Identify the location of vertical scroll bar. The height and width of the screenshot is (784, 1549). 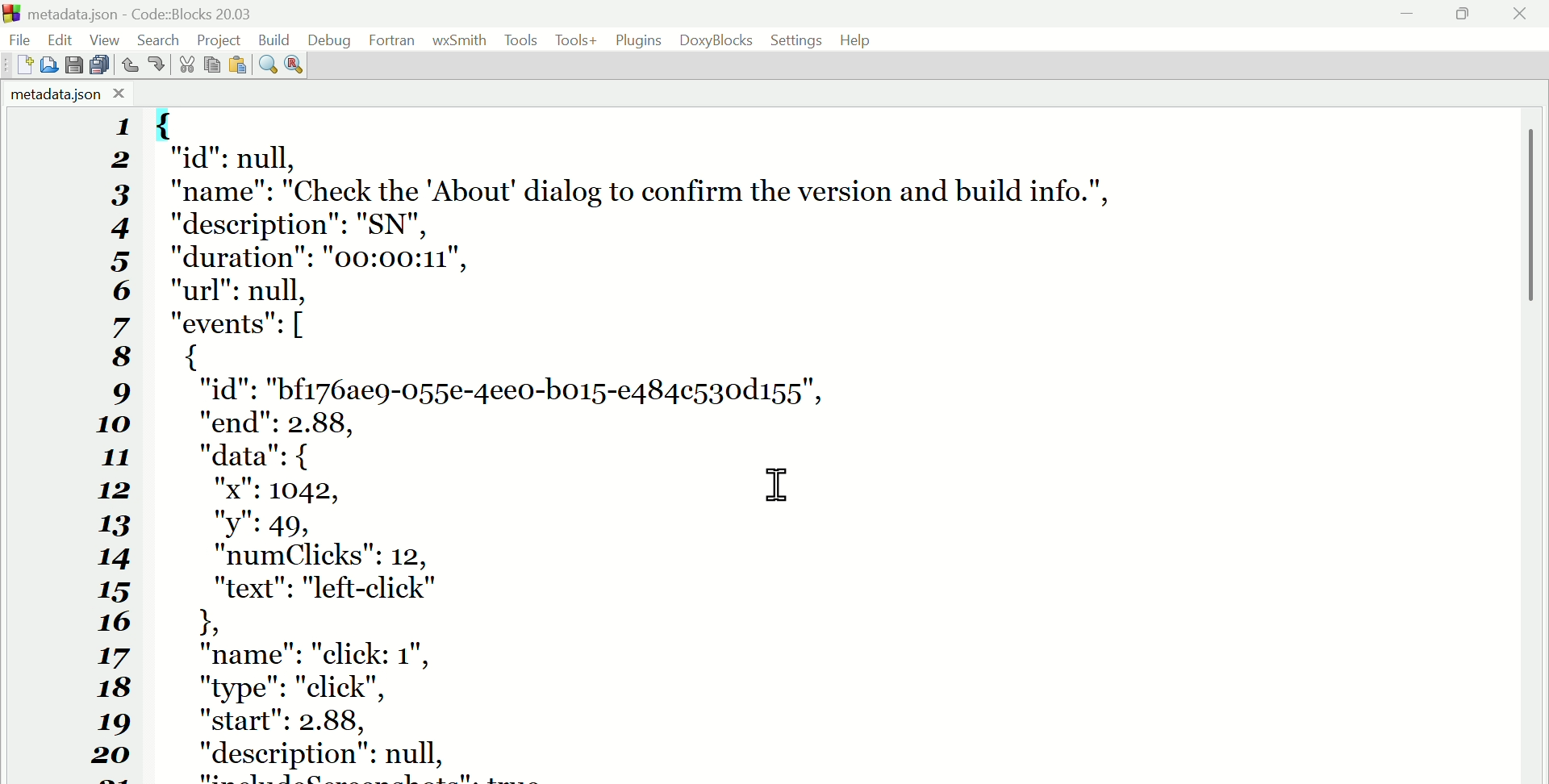
(1534, 277).